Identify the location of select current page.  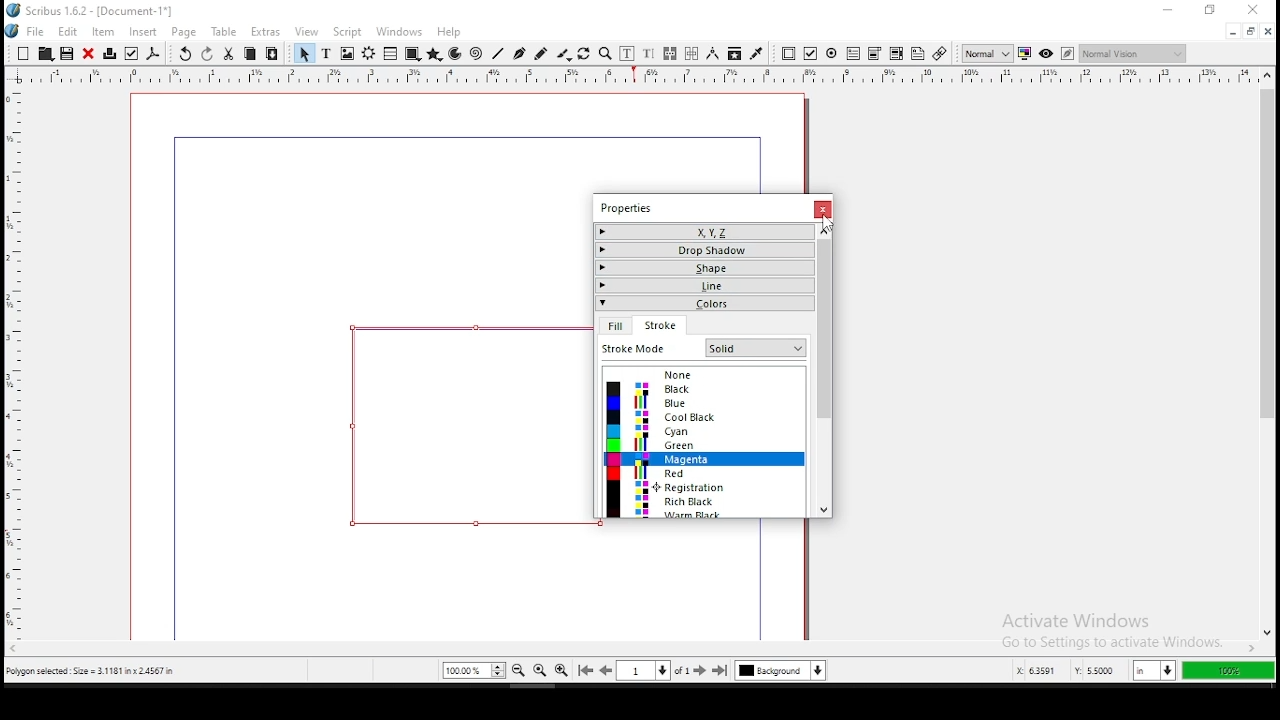
(643, 669).